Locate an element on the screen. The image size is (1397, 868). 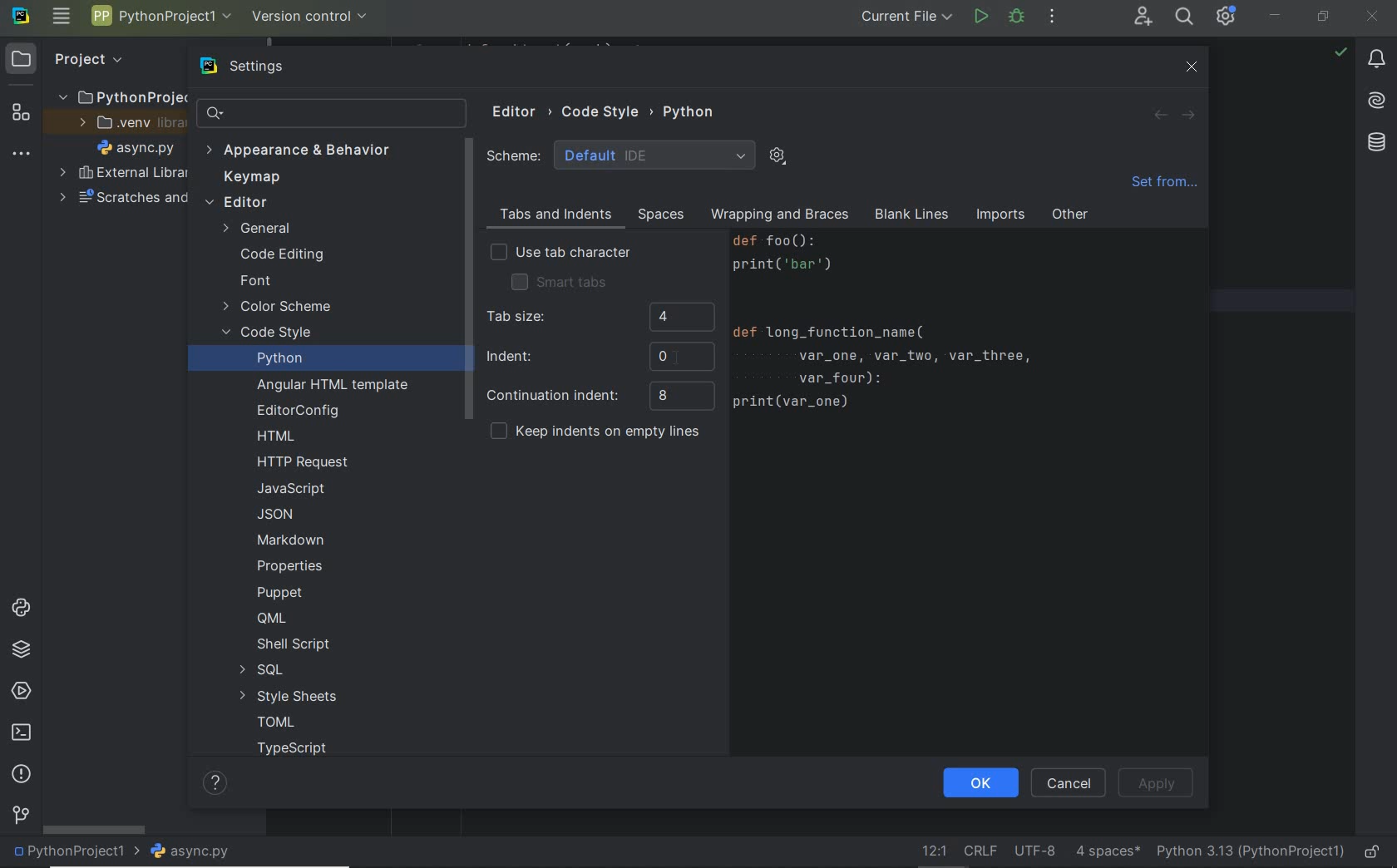
Appearance & Behavior is located at coordinates (299, 152).